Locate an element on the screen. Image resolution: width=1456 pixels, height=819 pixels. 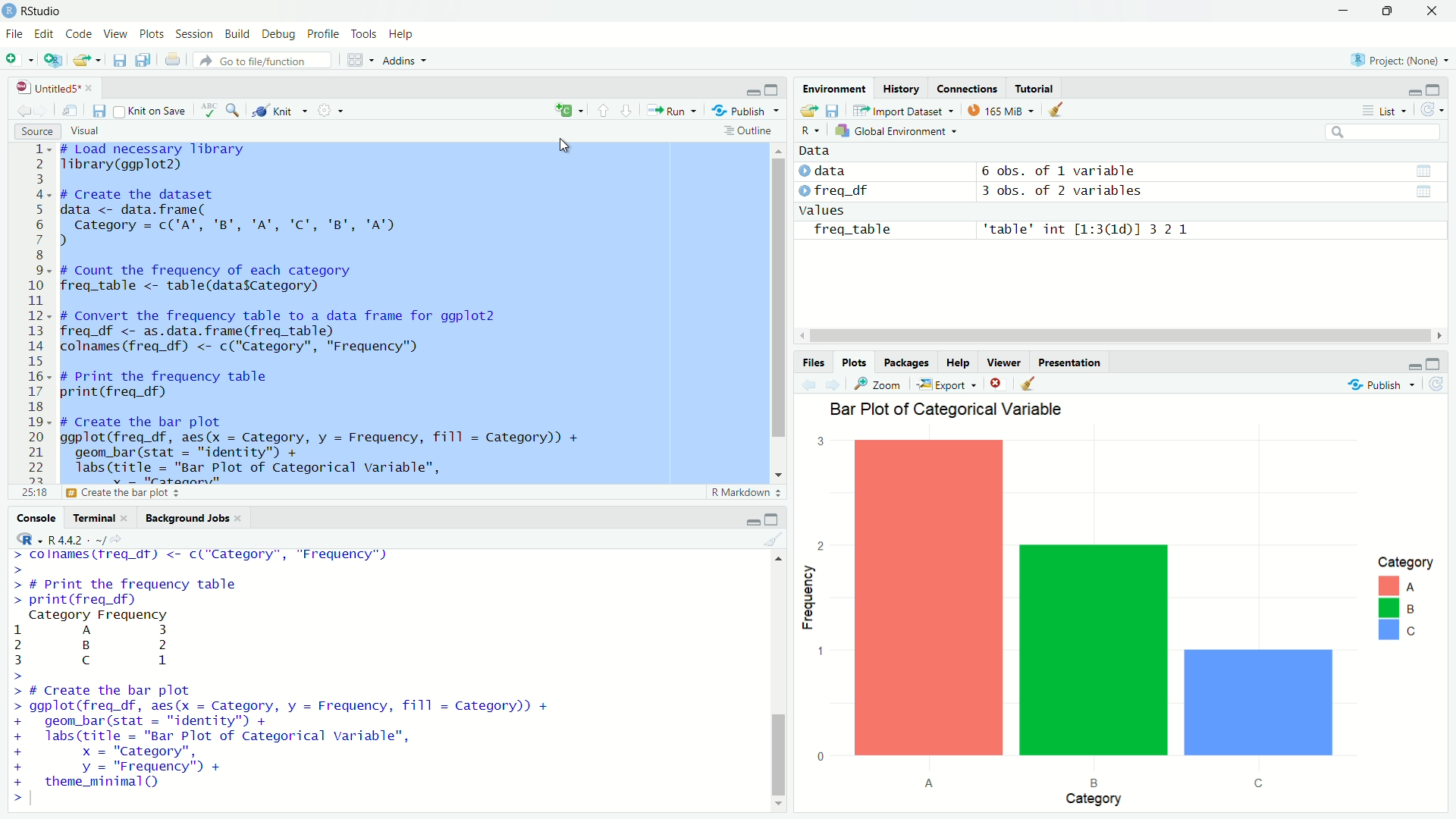
plots is located at coordinates (855, 362).